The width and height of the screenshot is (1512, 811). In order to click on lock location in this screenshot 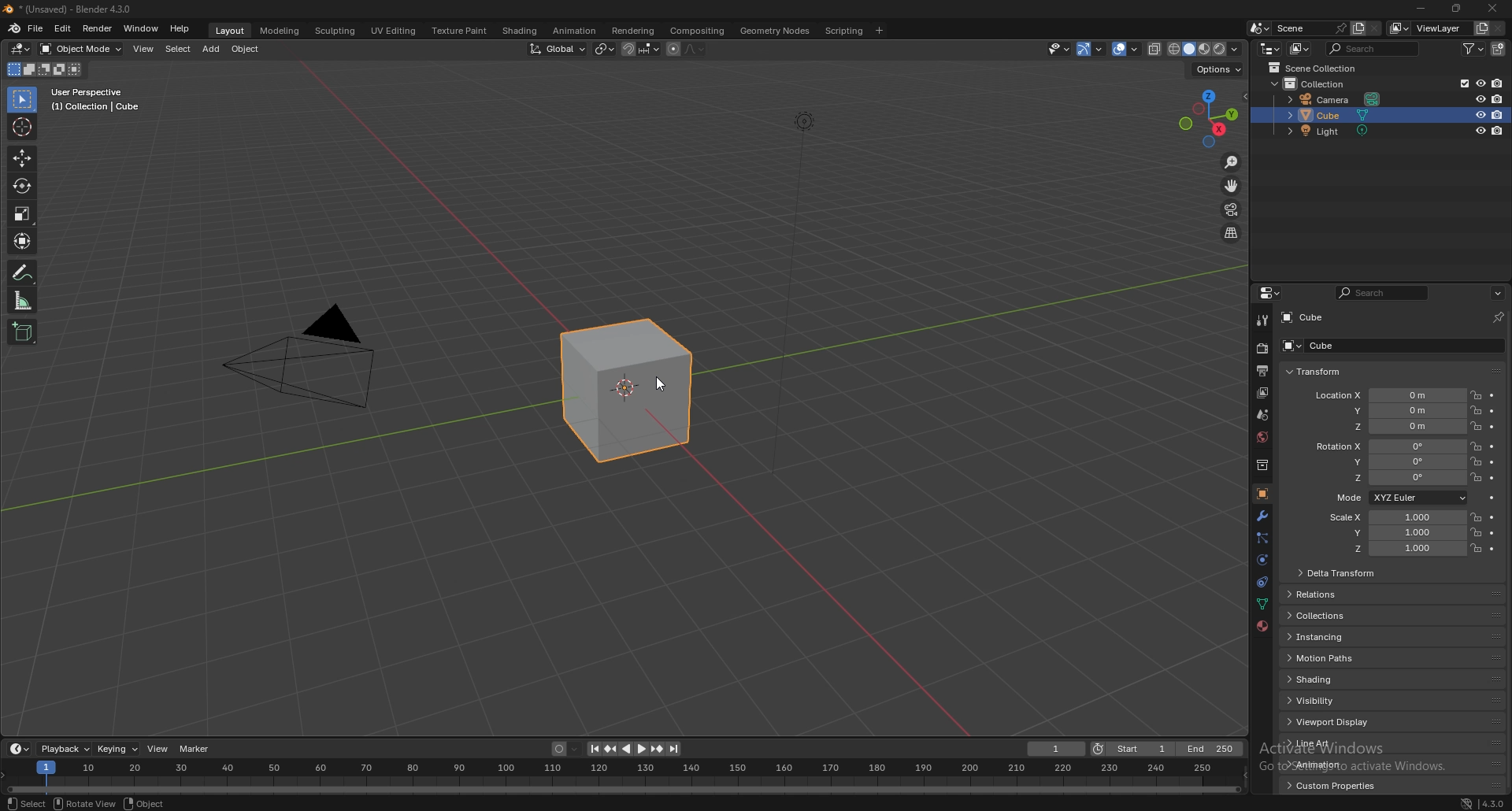, I will do `click(1477, 446)`.